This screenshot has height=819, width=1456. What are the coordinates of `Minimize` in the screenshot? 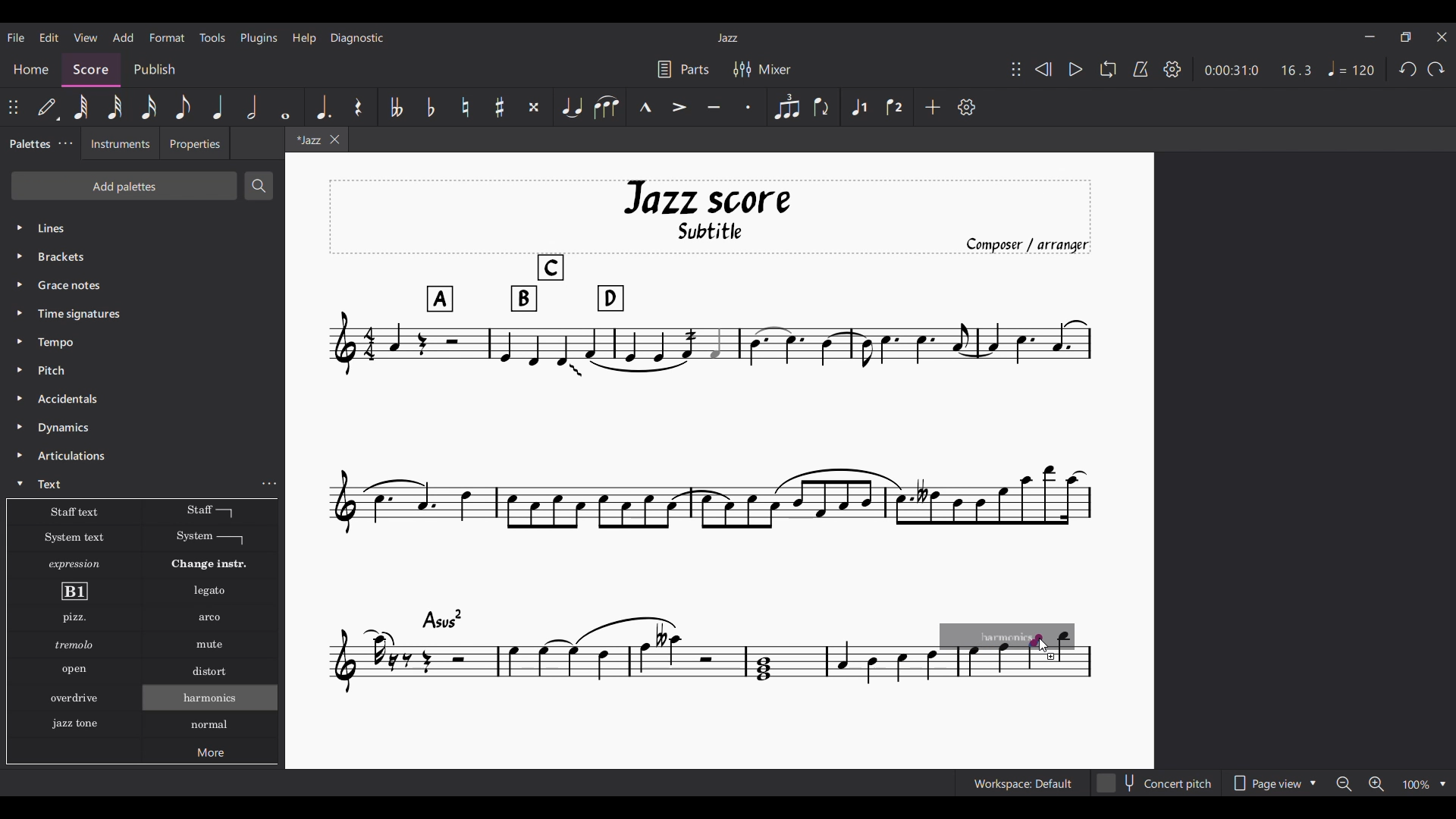 It's located at (1370, 36).